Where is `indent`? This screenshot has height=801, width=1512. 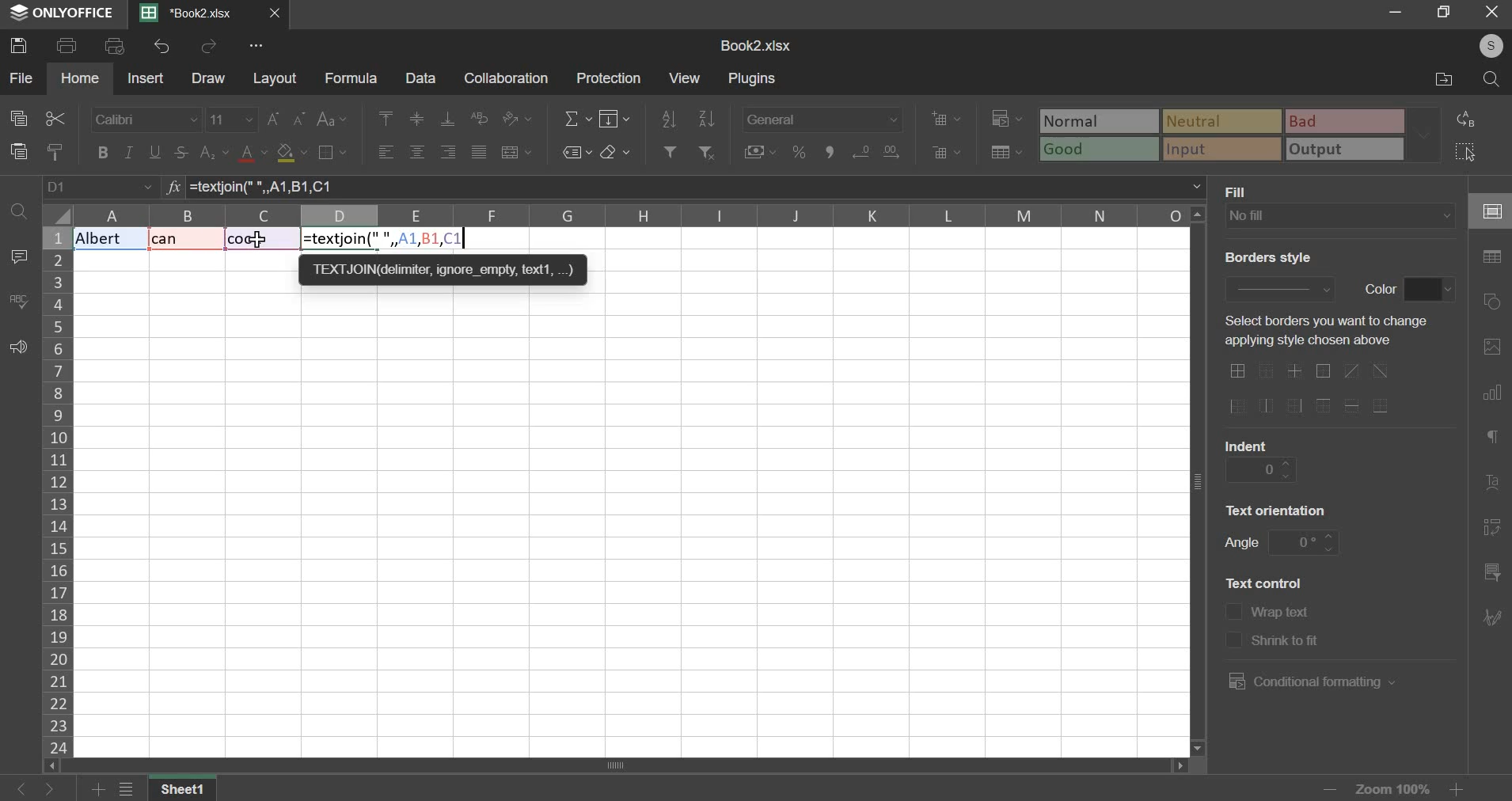 indent is located at coordinates (1261, 469).